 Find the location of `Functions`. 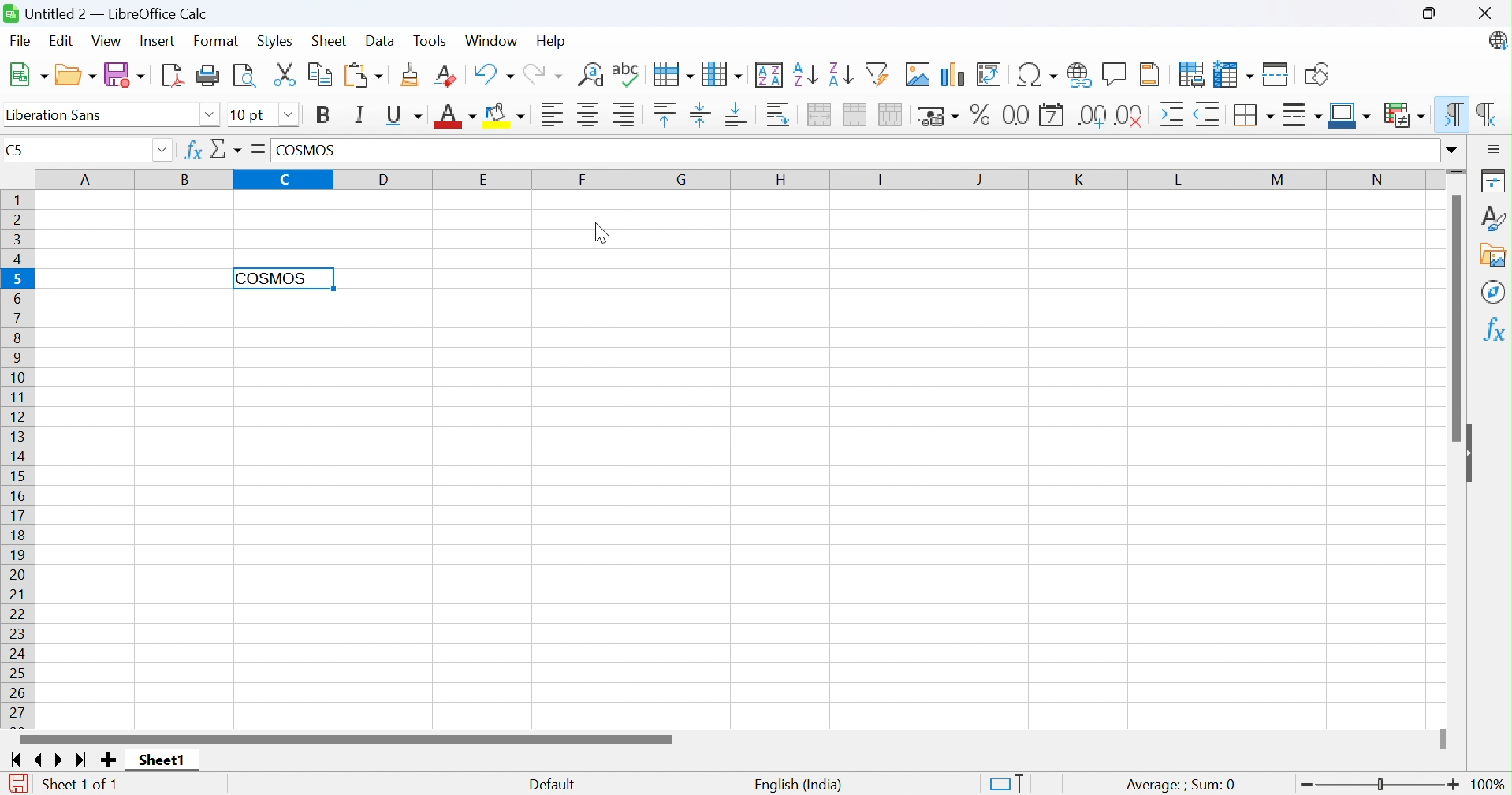

Functions is located at coordinates (1495, 327).